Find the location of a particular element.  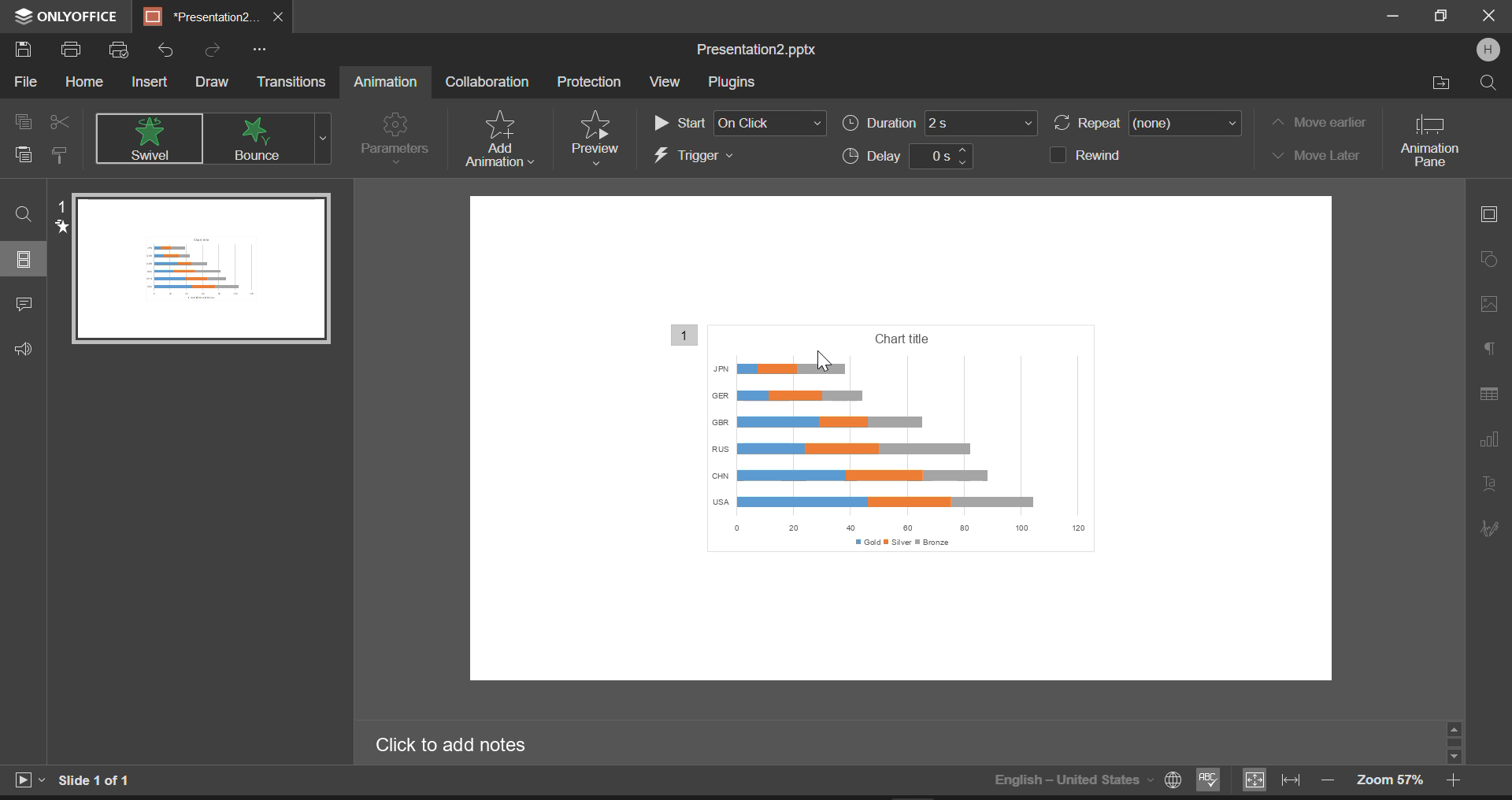

Search is located at coordinates (1487, 82).